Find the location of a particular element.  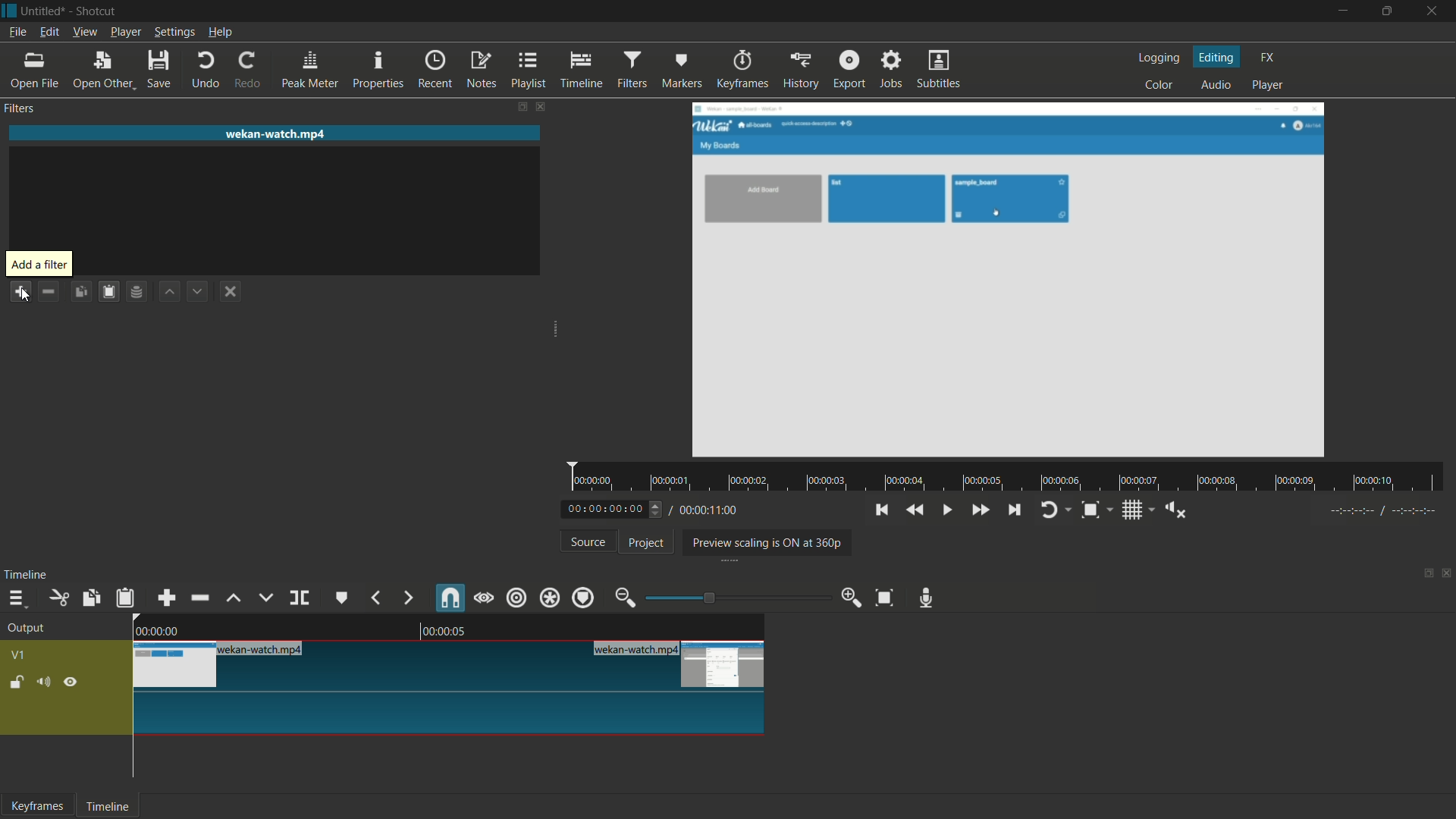

minimize is located at coordinates (1340, 11).